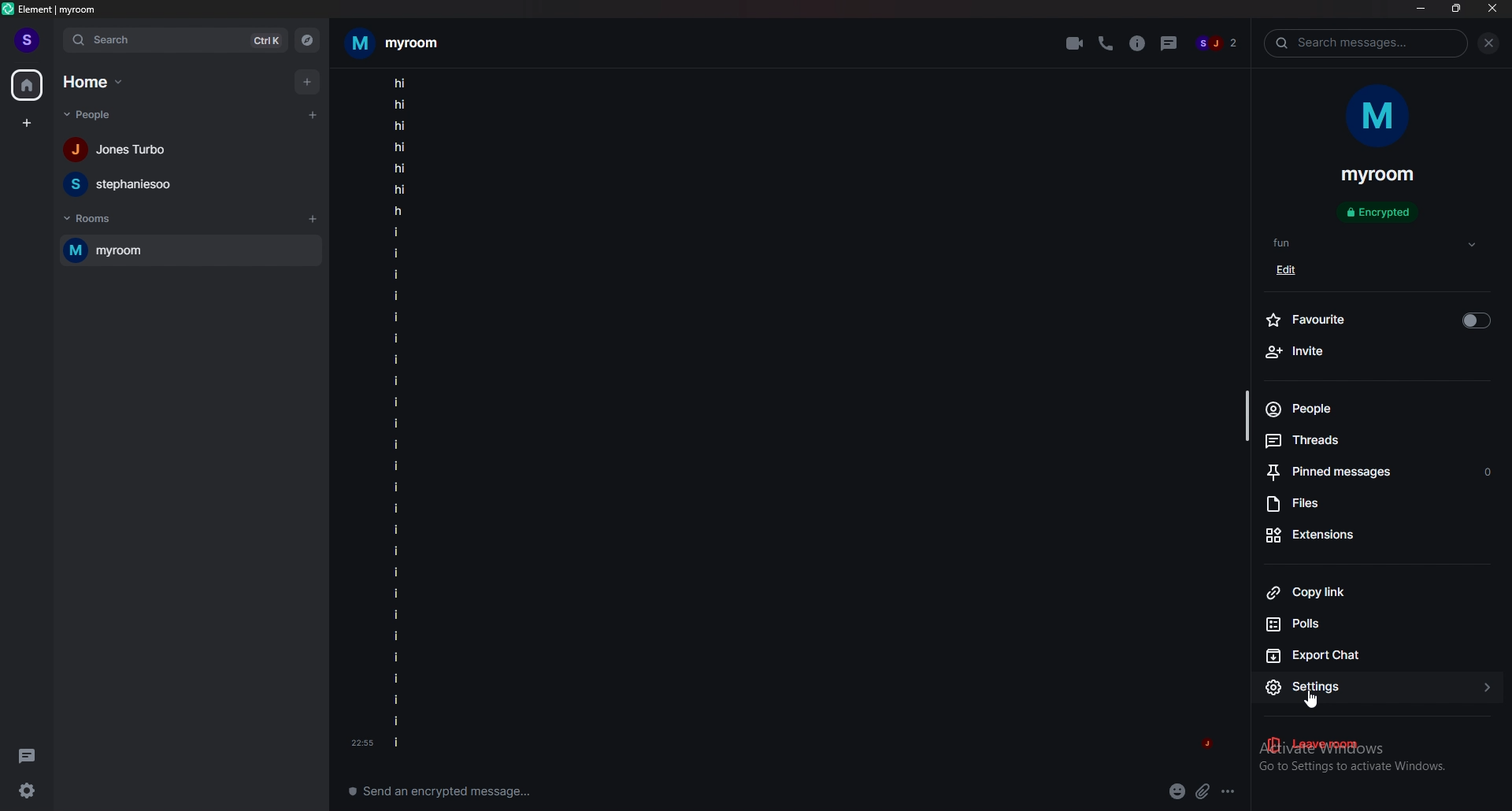 The height and width of the screenshot is (811, 1512). What do you see at coordinates (1378, 176) in the screenshot?
I see `room name` at bounding box center [1378, 176].